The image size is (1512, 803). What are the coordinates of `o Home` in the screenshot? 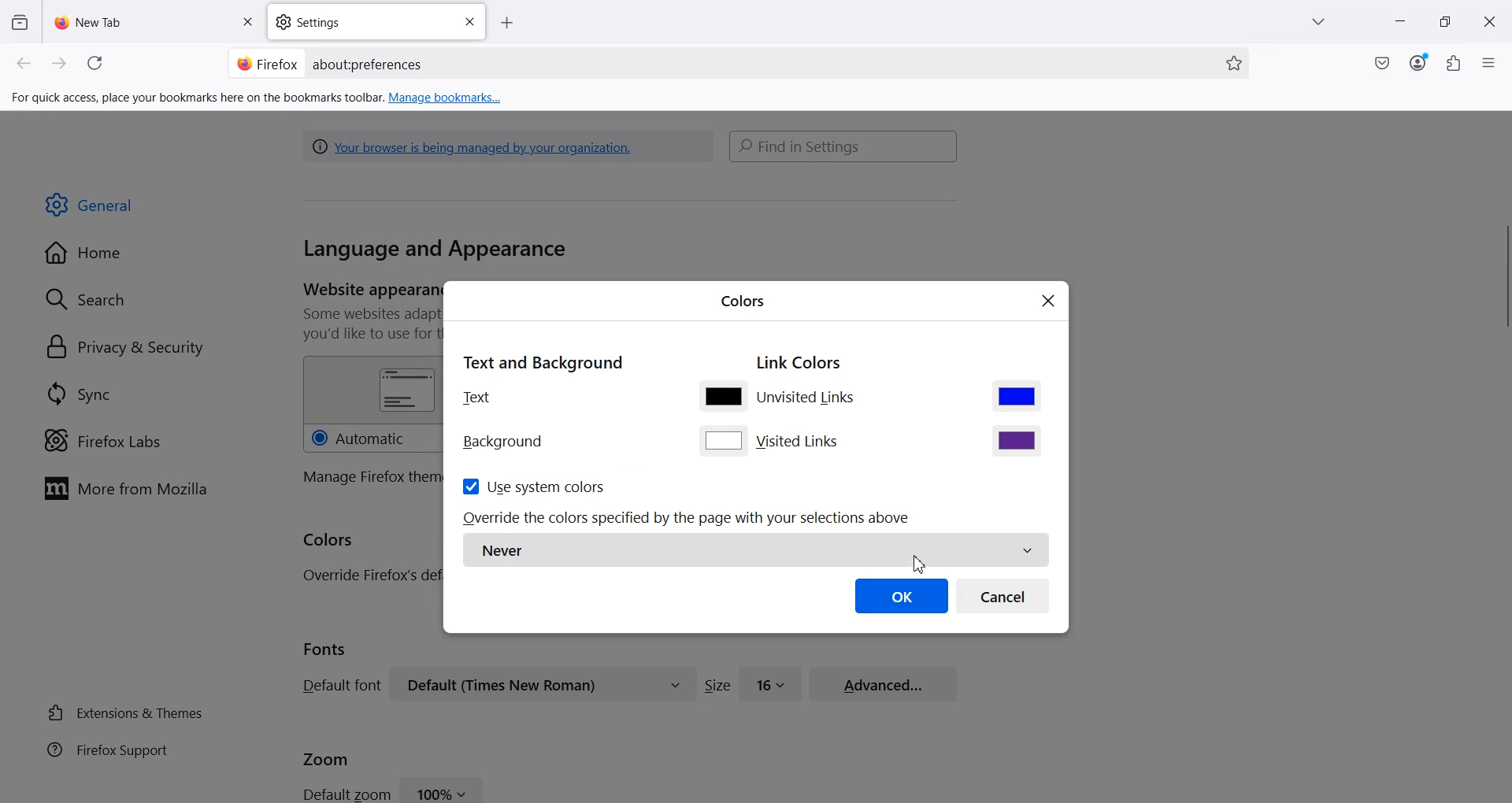 It's located at (85, 253).